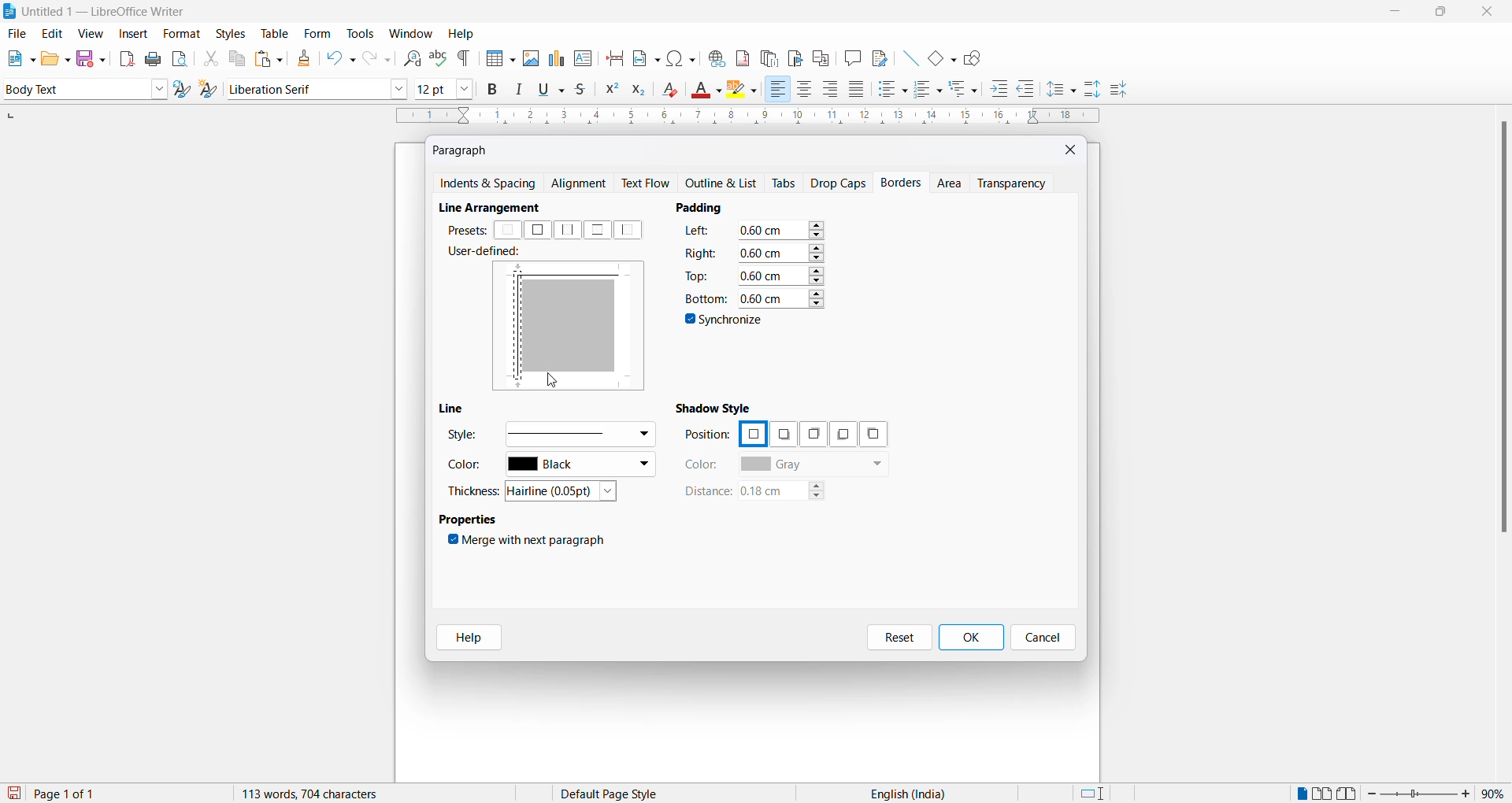 The width and height of the screenshot is (1512, 803). I want to click on clear direct formatting, so click(674, 91).